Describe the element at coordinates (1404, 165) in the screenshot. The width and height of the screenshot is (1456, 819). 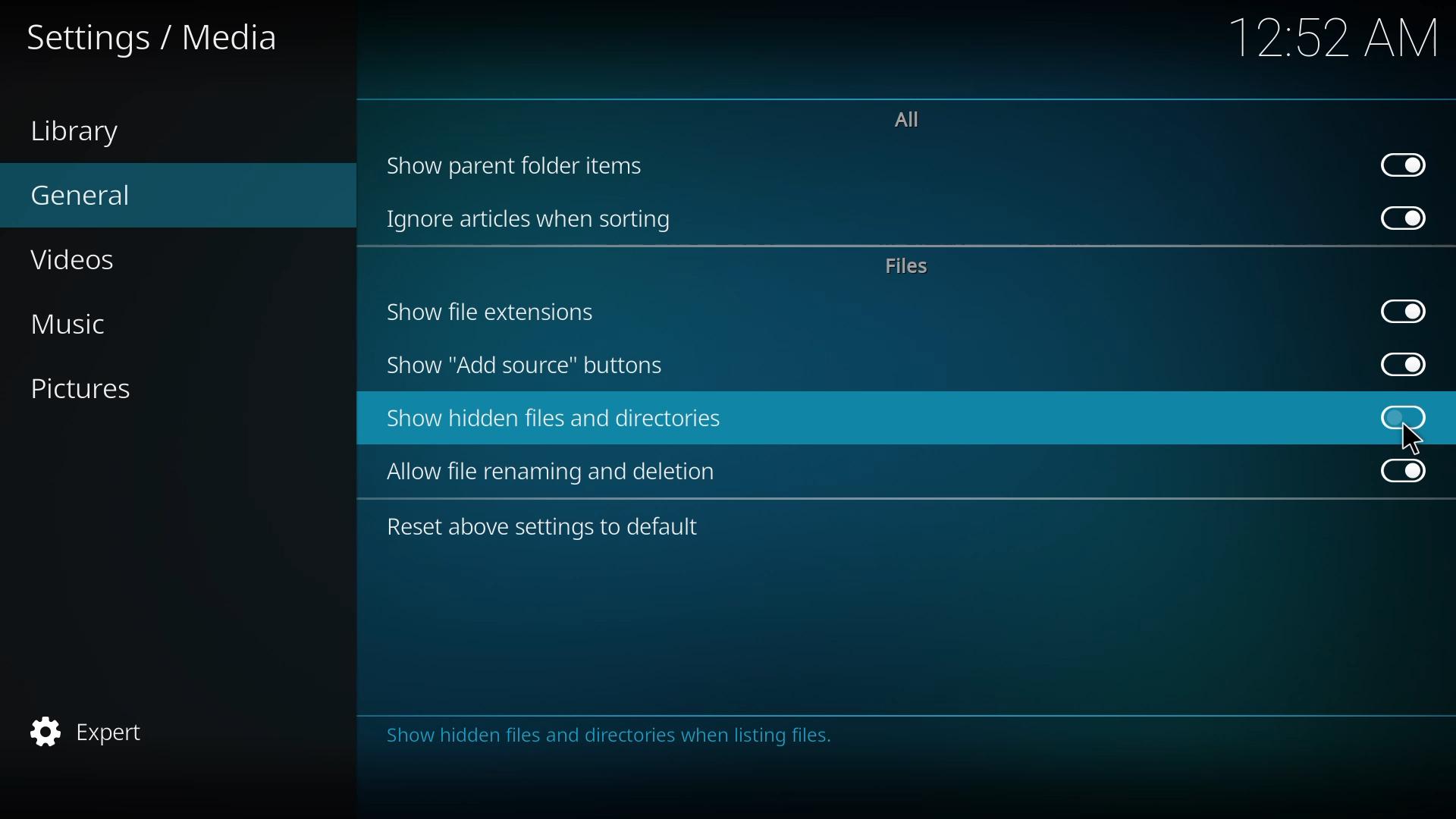
I see `enabled` at that location.